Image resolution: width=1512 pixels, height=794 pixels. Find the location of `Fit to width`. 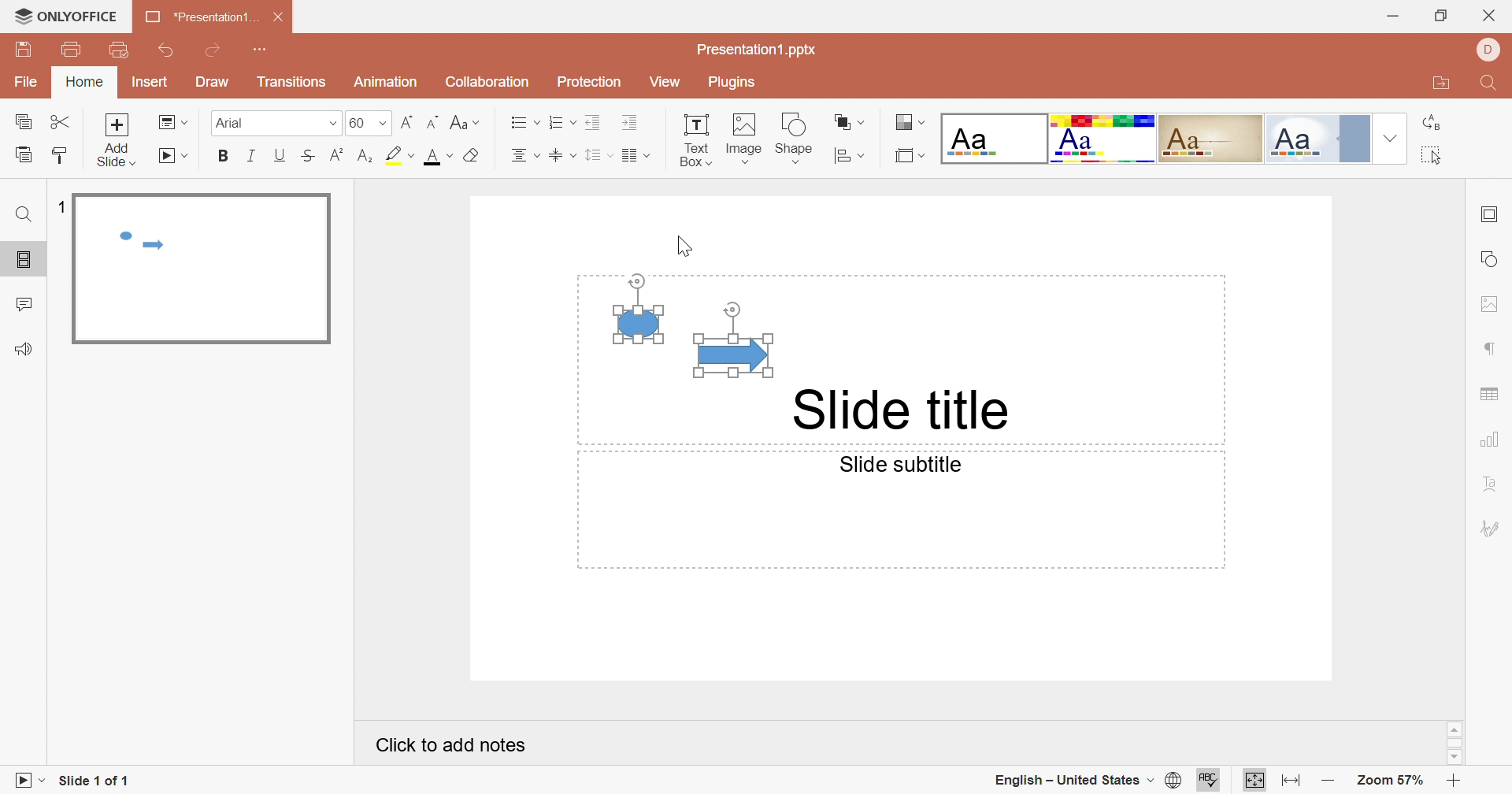

Fit to width is located at coordinates (1296, 783).